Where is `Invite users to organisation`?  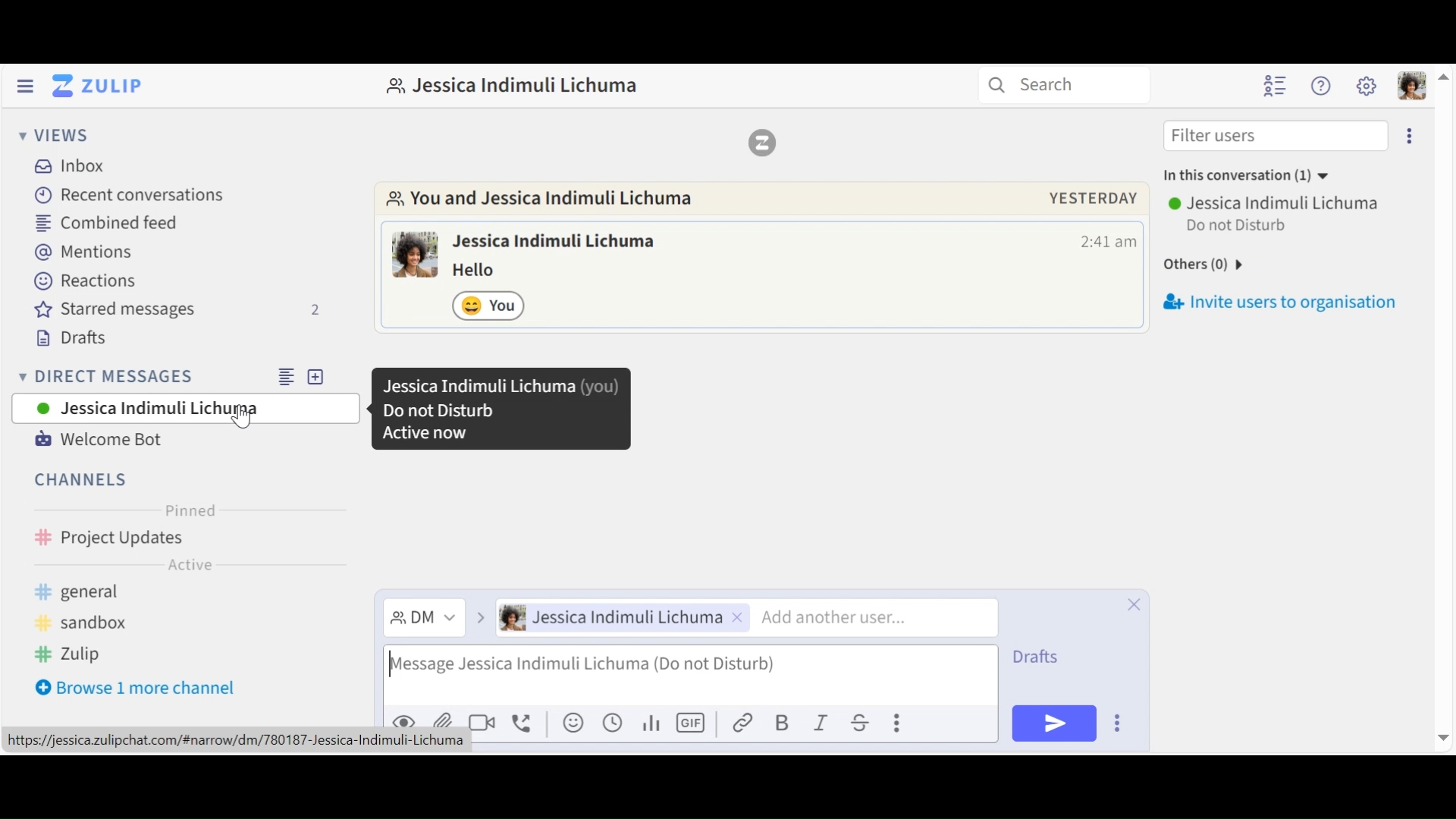 Invite users to organisation is located at coordinates (1285, 299).